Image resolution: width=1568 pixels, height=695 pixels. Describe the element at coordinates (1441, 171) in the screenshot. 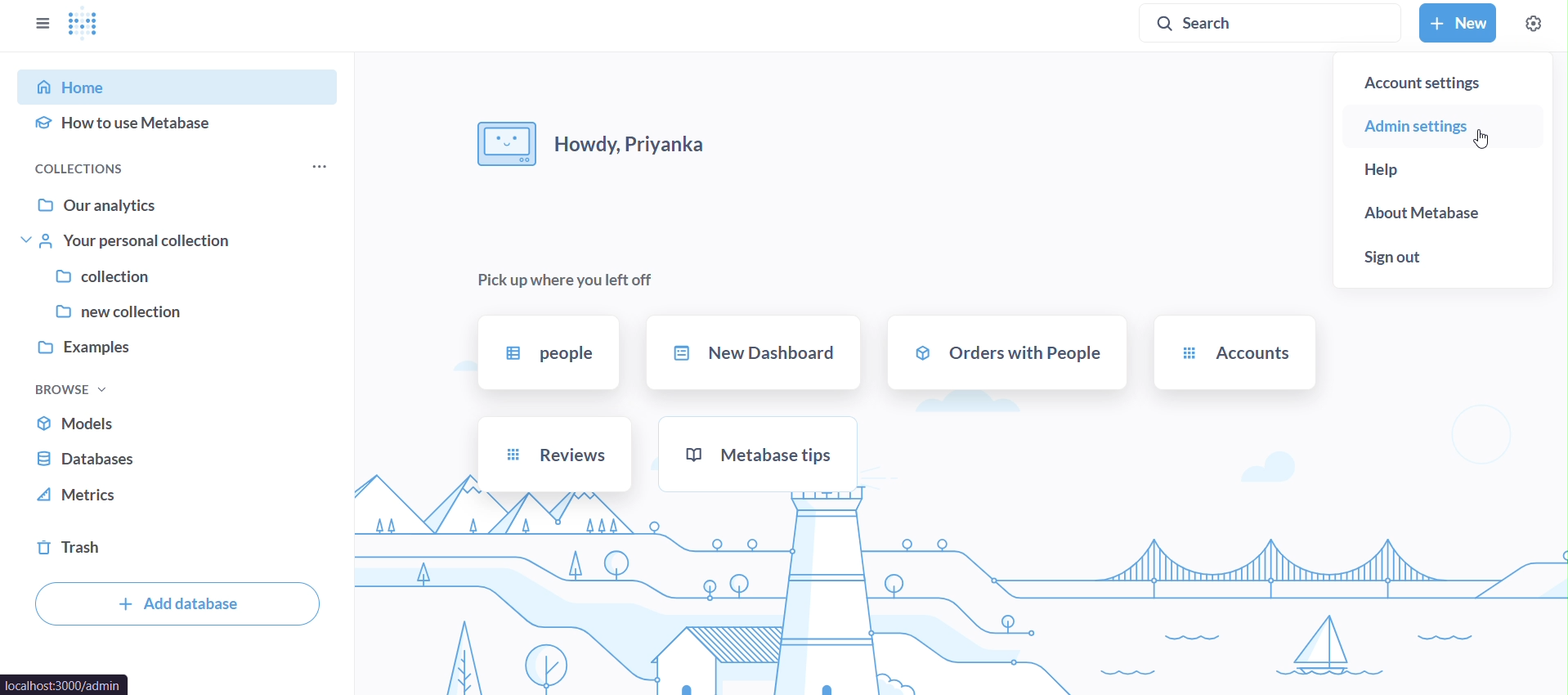

I see `Help` at that location.